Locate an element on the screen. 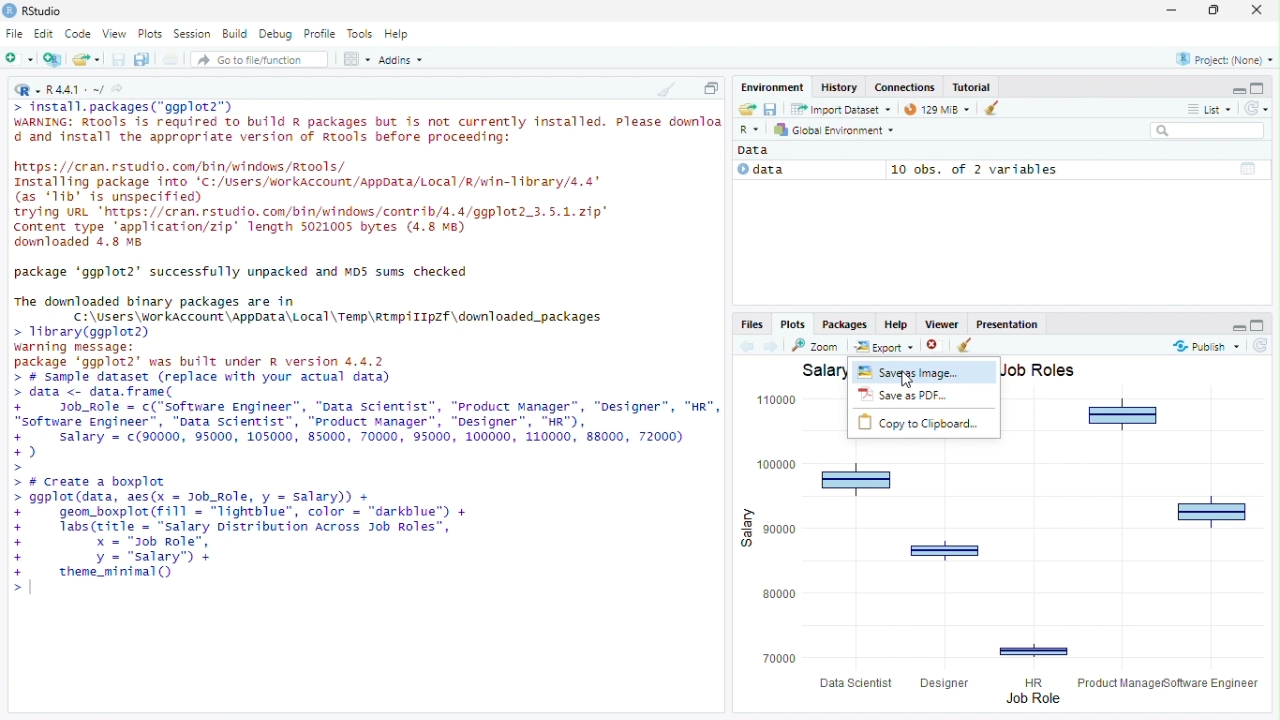  Clear all plots is located at coordinates (969, 345).